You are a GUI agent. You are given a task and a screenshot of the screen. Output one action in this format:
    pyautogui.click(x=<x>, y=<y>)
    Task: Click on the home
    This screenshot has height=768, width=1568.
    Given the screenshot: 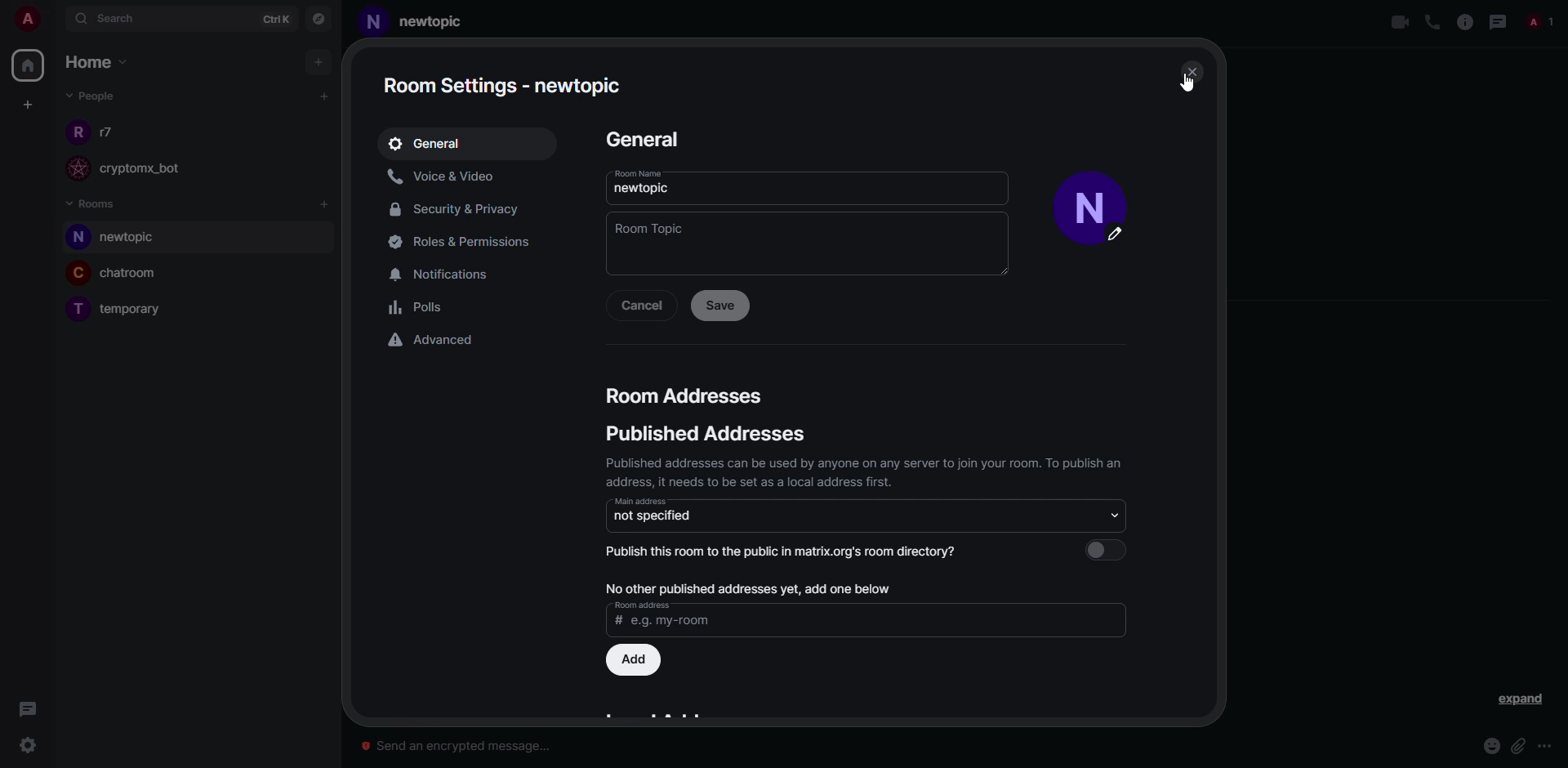 What is the action you would take?
    pyautogui.click(x=100, y=63)
    